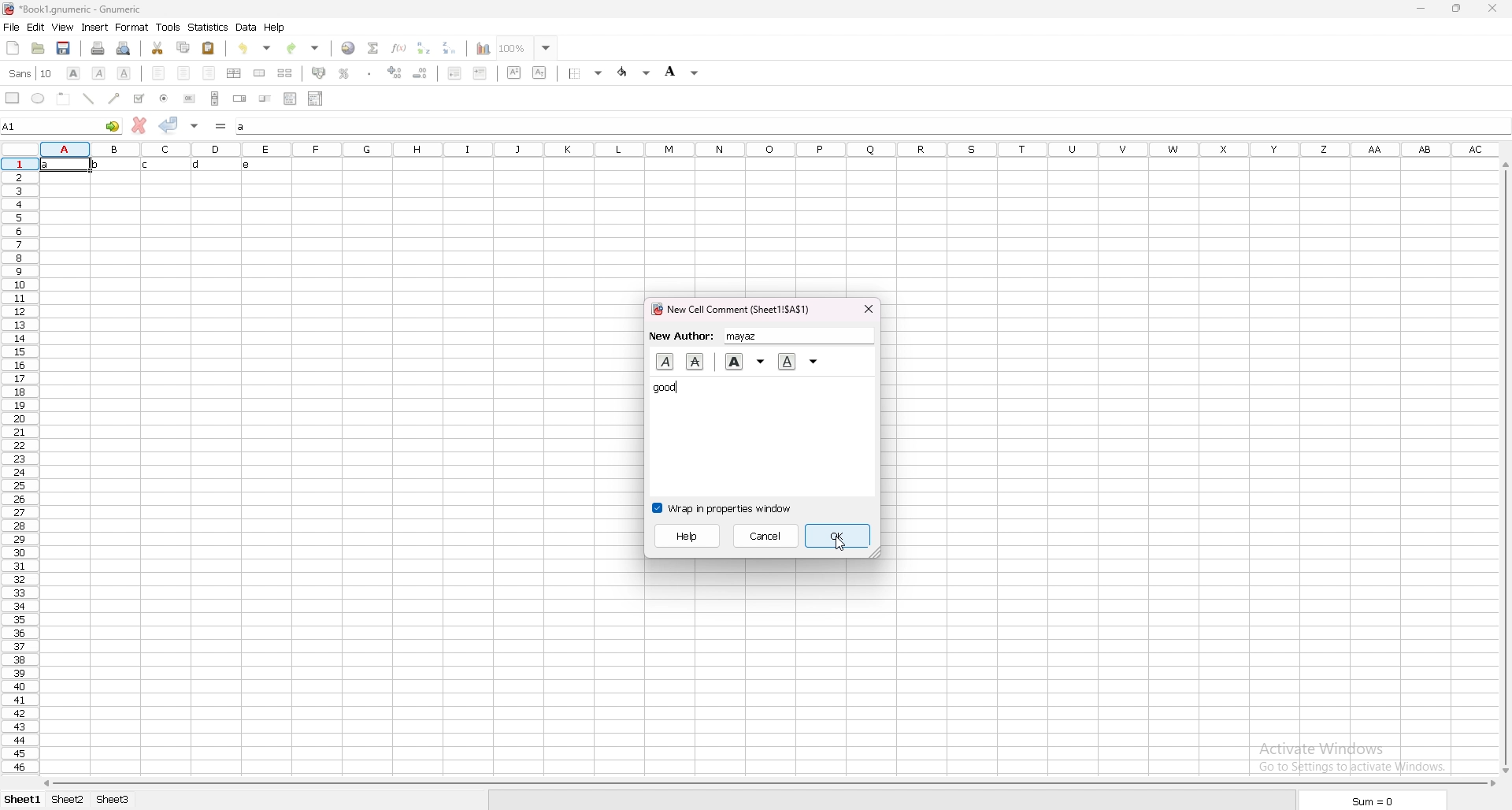  What do you see at coordinates (164, 99) in the screenshot?
I see `radio button` at bounding box center [164, 99].